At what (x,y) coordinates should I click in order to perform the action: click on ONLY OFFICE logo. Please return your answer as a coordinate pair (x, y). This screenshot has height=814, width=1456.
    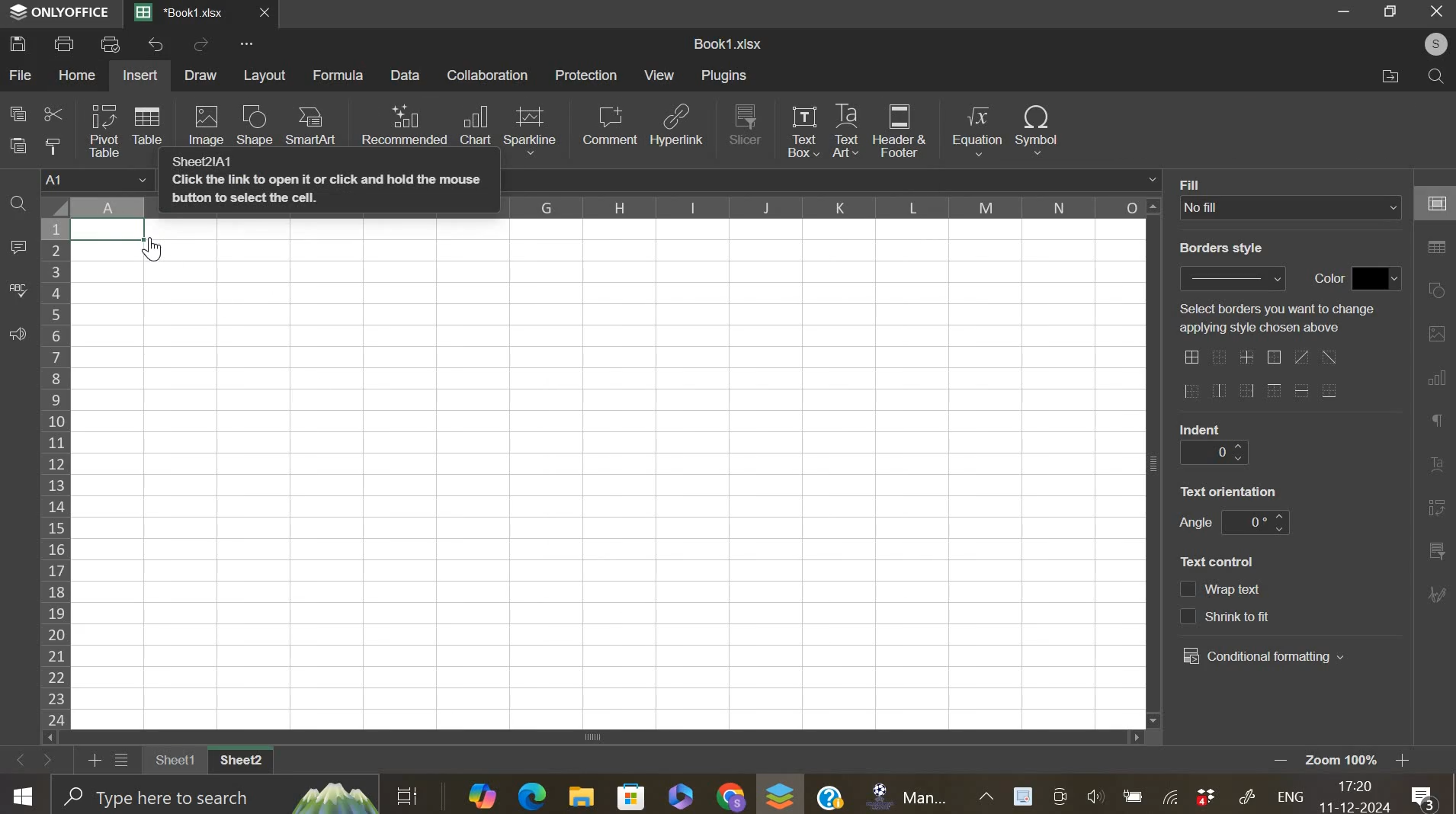
    Looking at the image, I should click on (60, 11).